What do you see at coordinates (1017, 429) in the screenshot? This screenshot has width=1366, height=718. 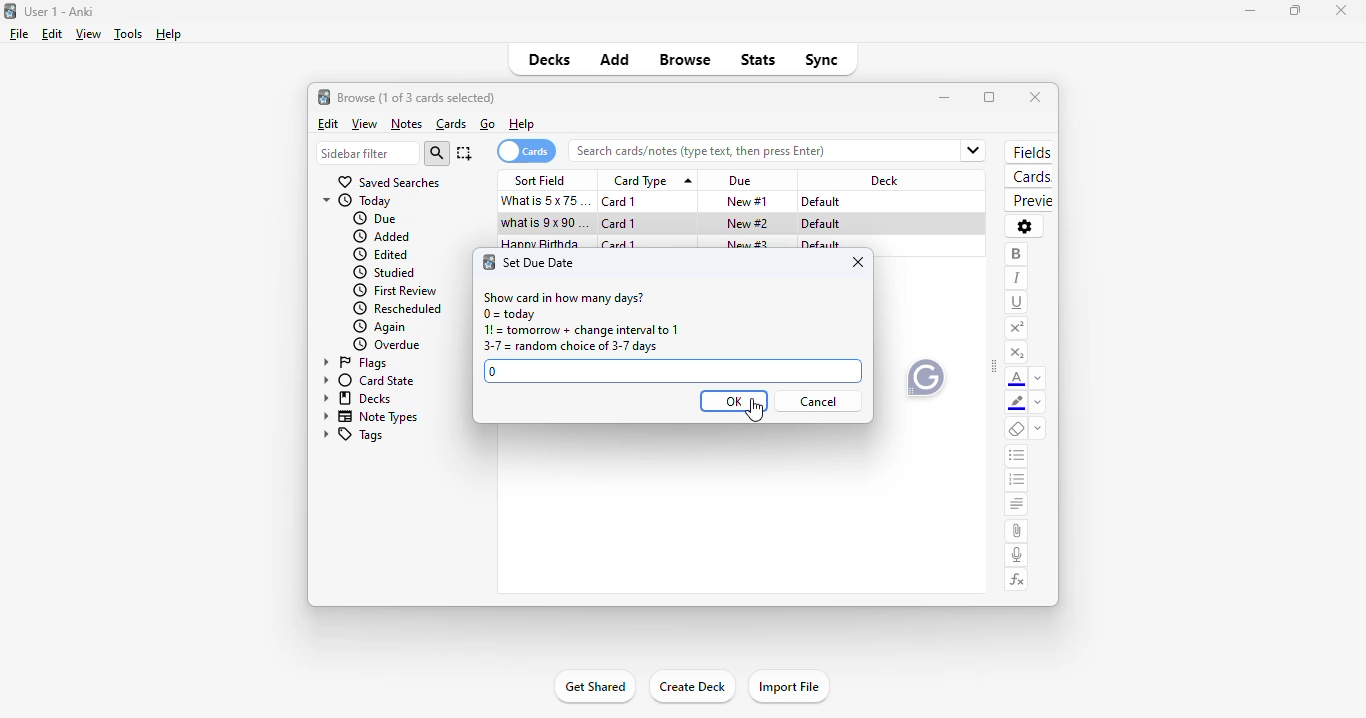 I see `remove formatting` at bounding box center [1017, 429].